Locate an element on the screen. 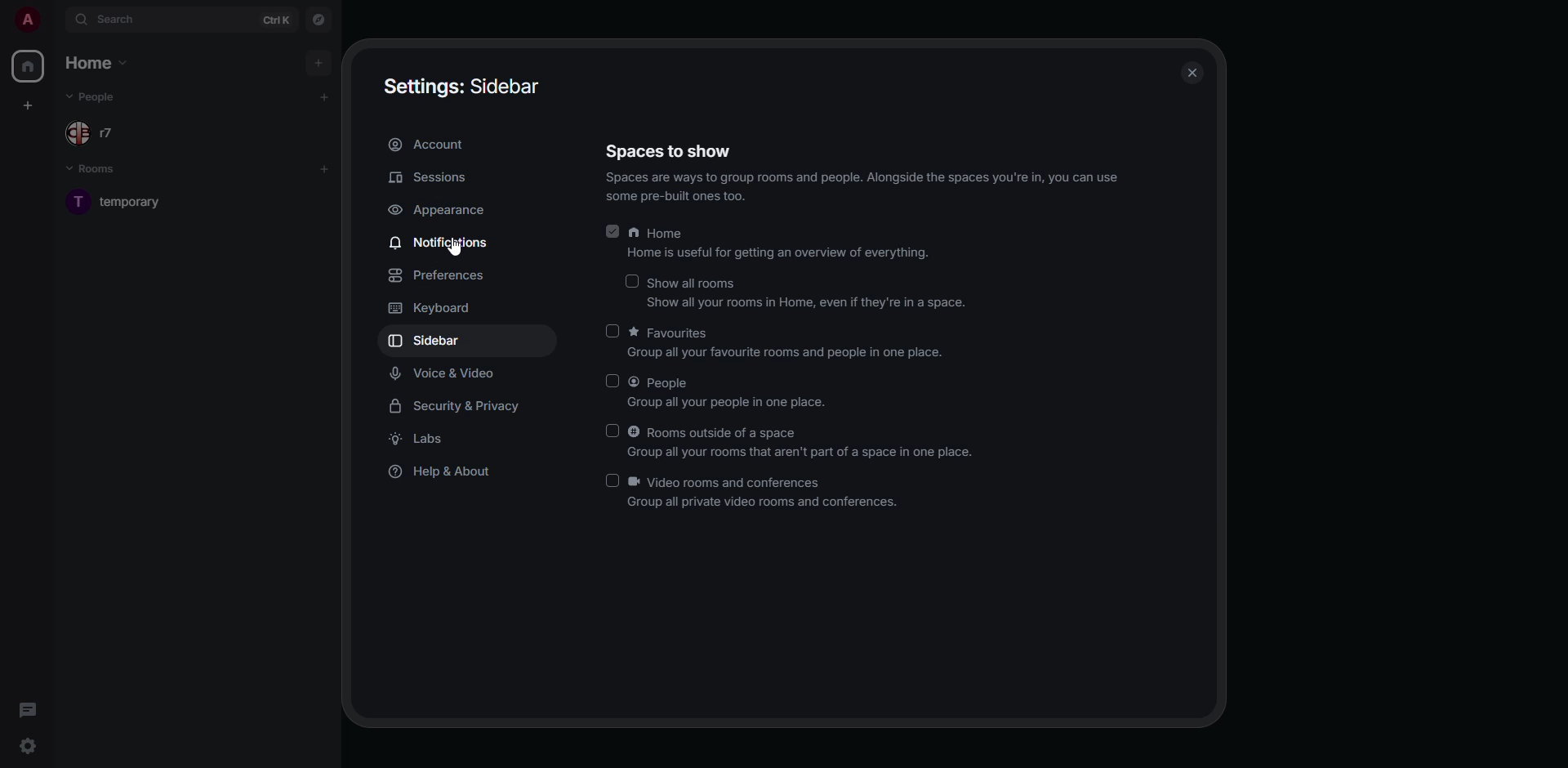  threads is located at coordinates (28, 710).